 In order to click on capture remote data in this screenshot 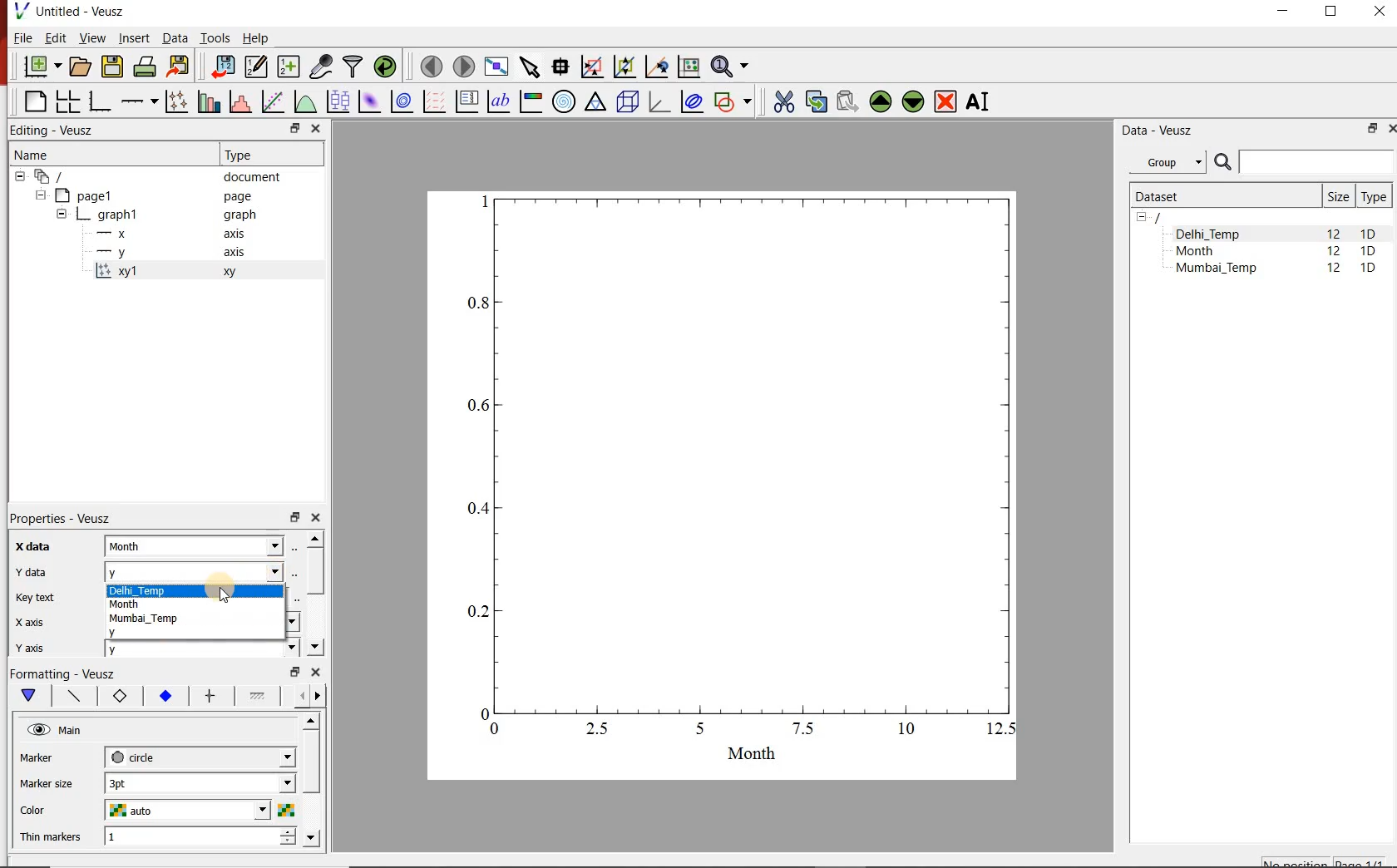, I will do `click(322, 67)`.